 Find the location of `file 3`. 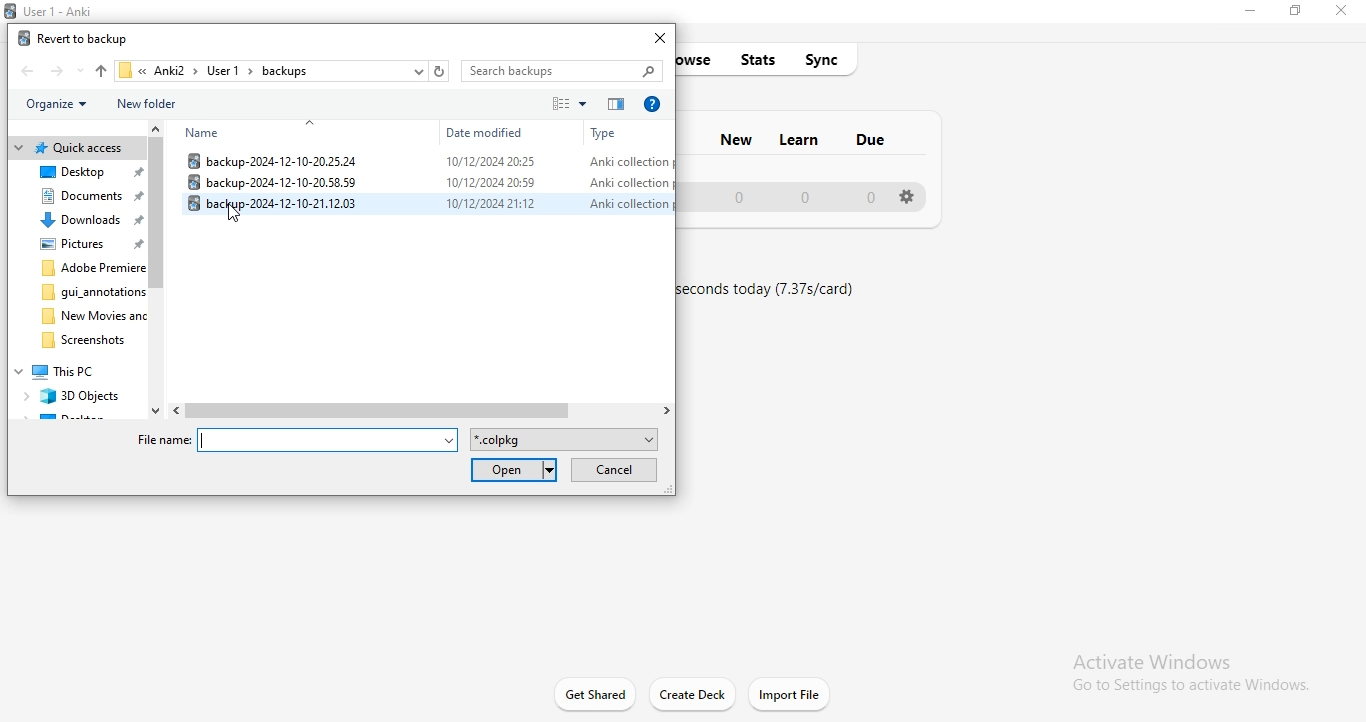

file 3 is located at coordinates (428, 205).